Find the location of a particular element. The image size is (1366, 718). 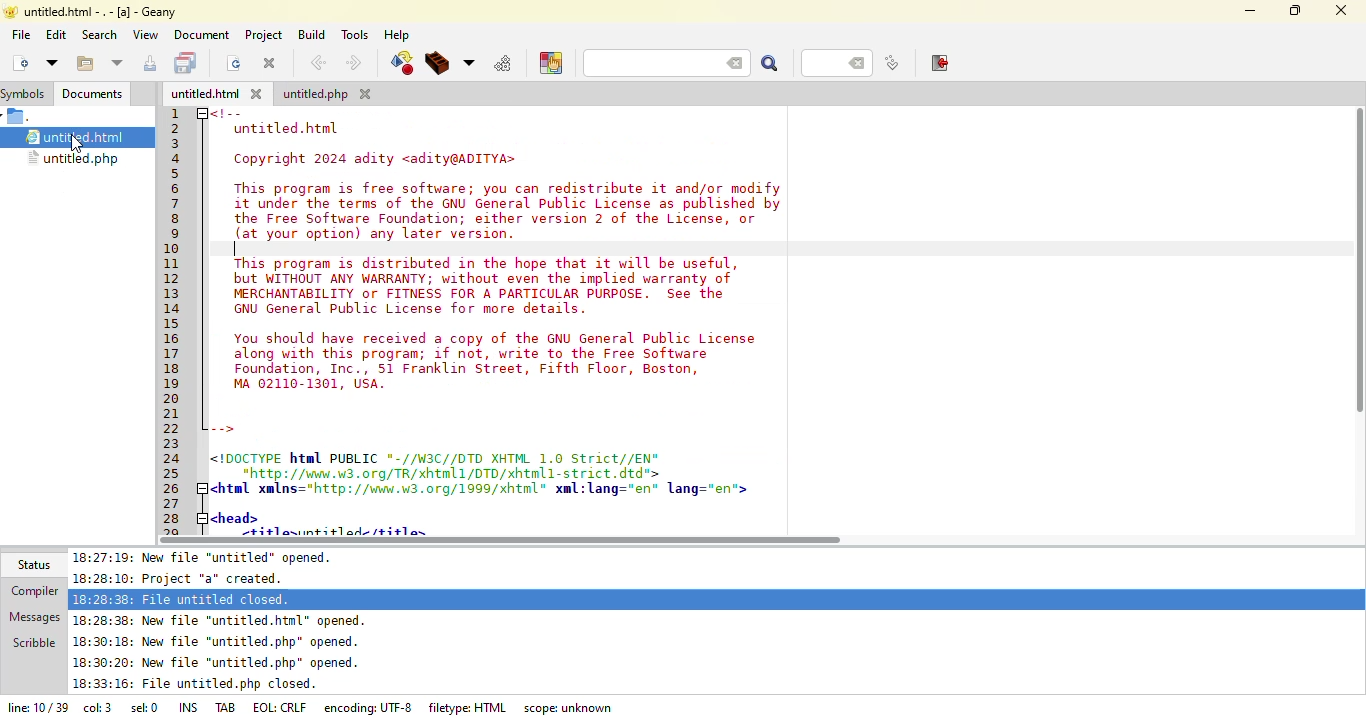

file is located at coordinates (20, 35).